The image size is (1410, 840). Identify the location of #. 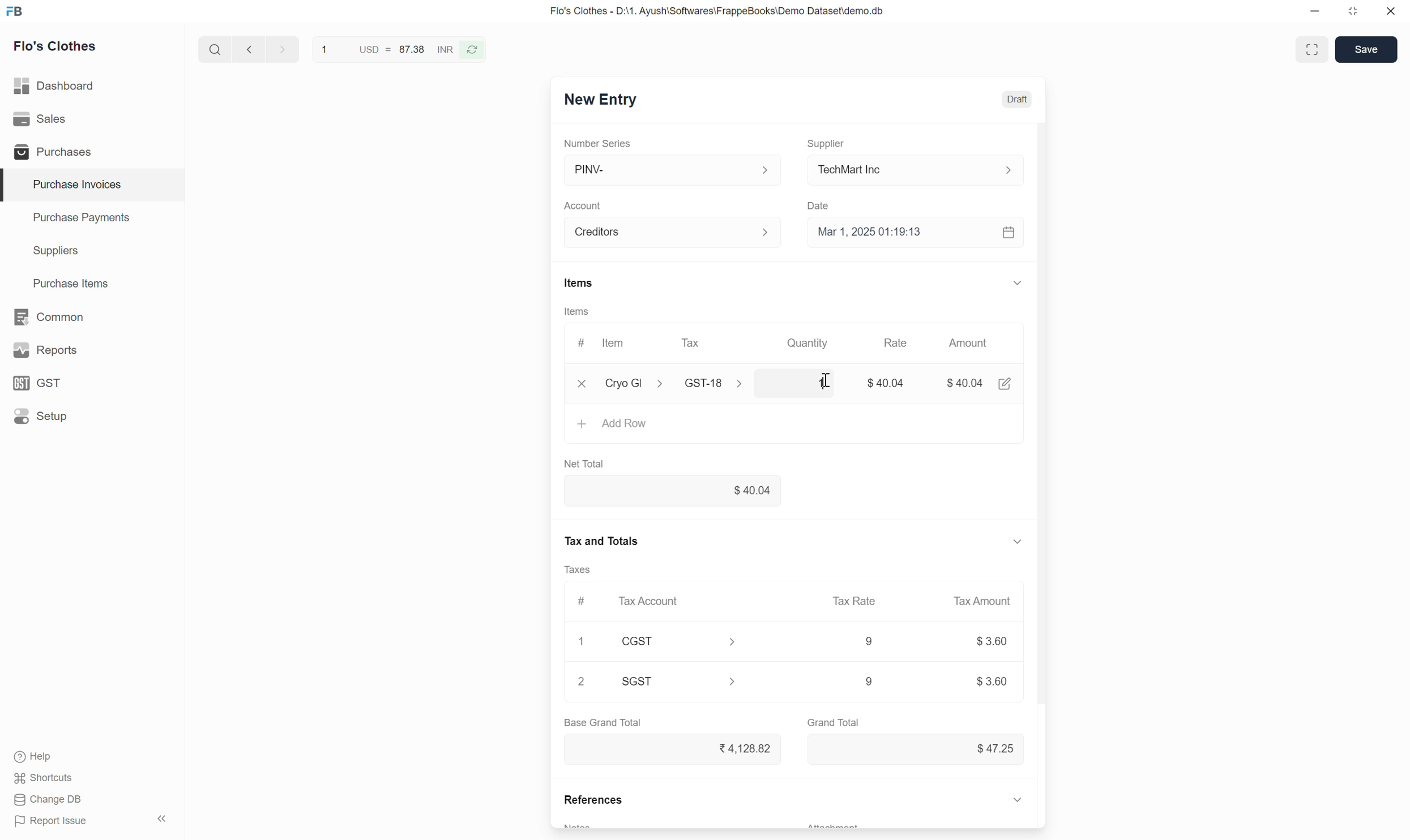
(580, 340).